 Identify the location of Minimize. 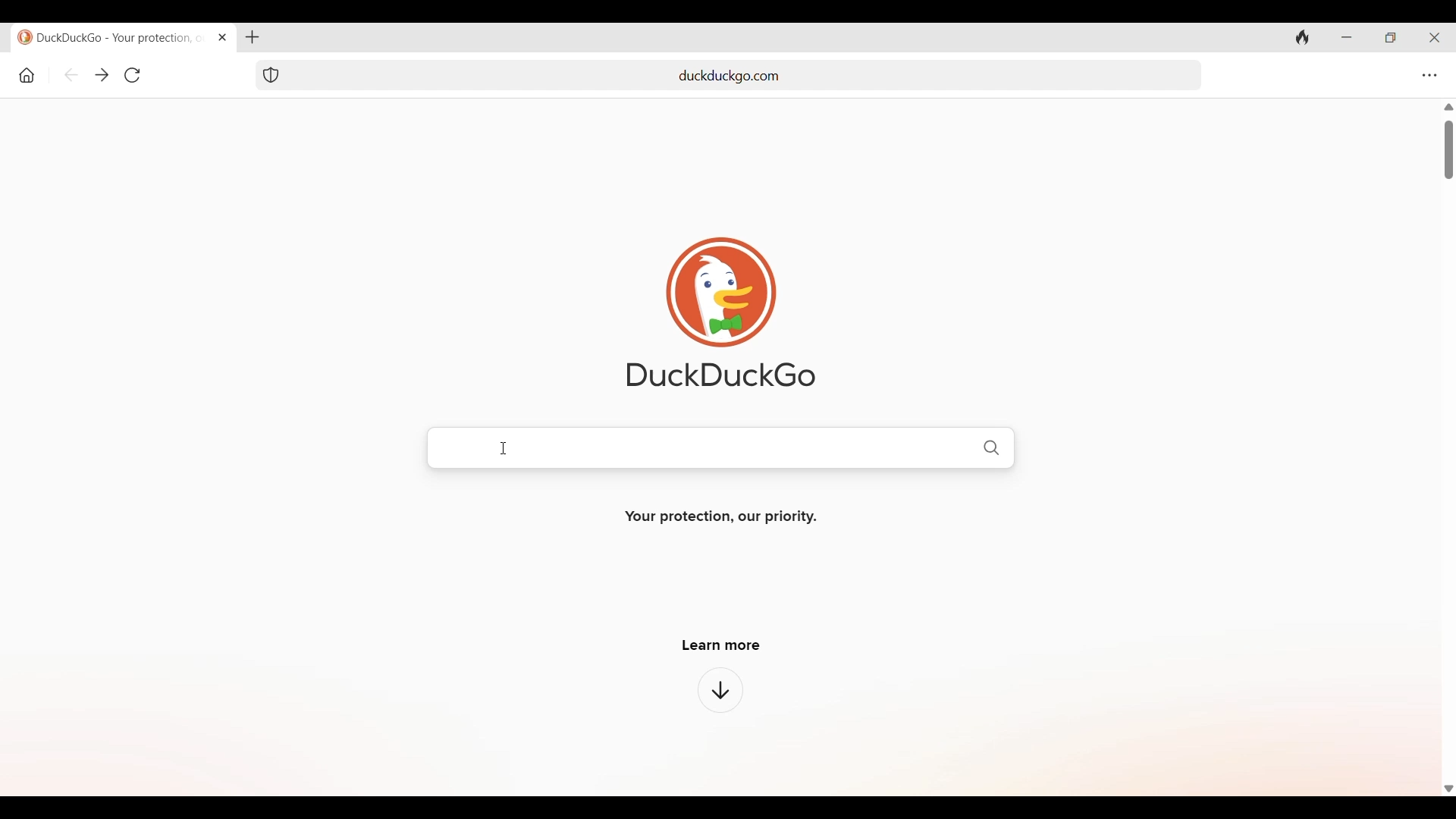
(1346, 38).